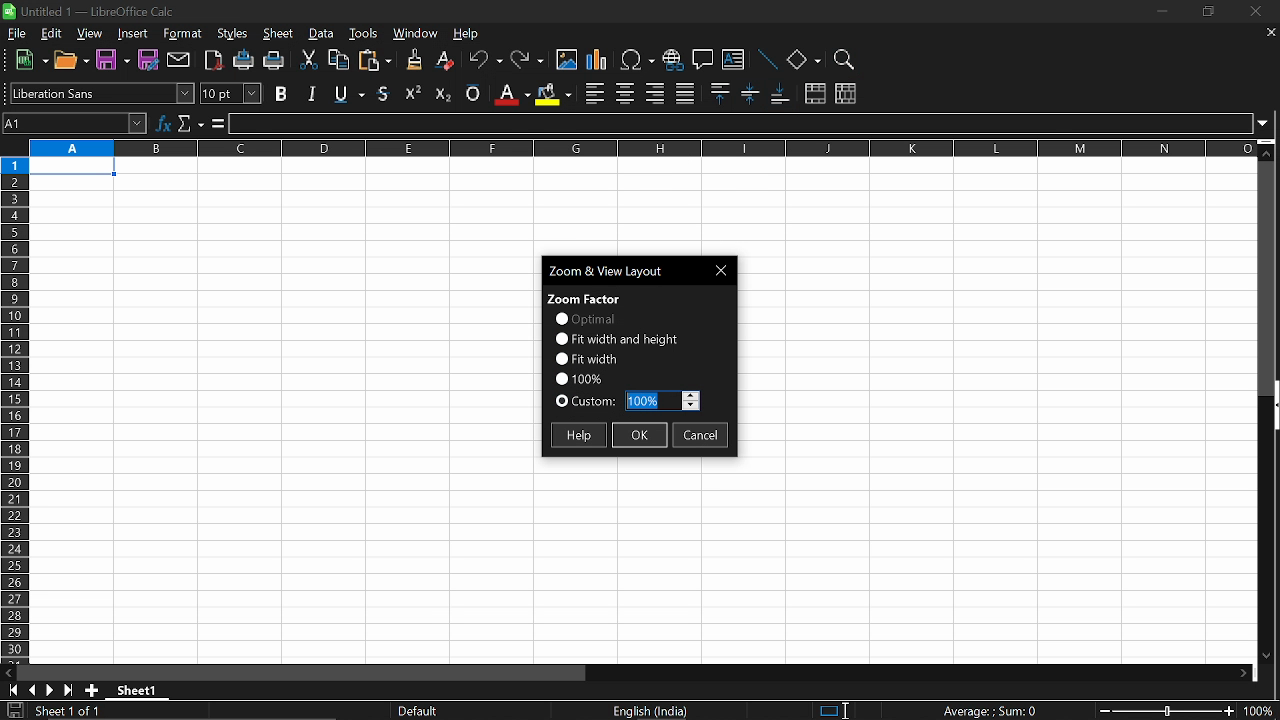 The height and width of the screenshot is (720, 1280). What do you see at coordinates (552, 93) in the screenshot?
I see `background color` at bounding box center [552, 93].